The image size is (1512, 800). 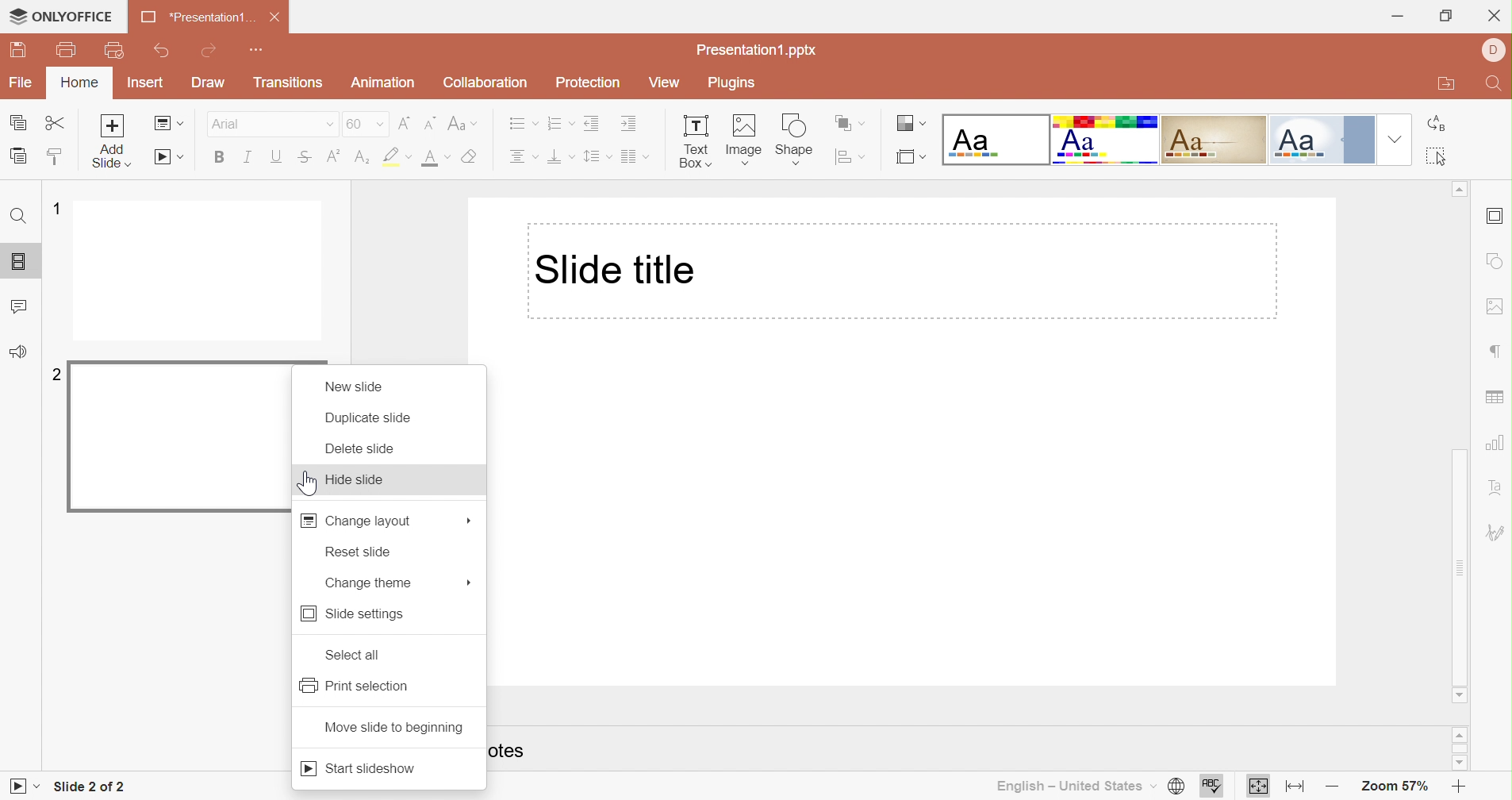 What do you see at coordinates (1491, 47) in the screenshot?
I see `DELL` at bounding box center [1491, 47].